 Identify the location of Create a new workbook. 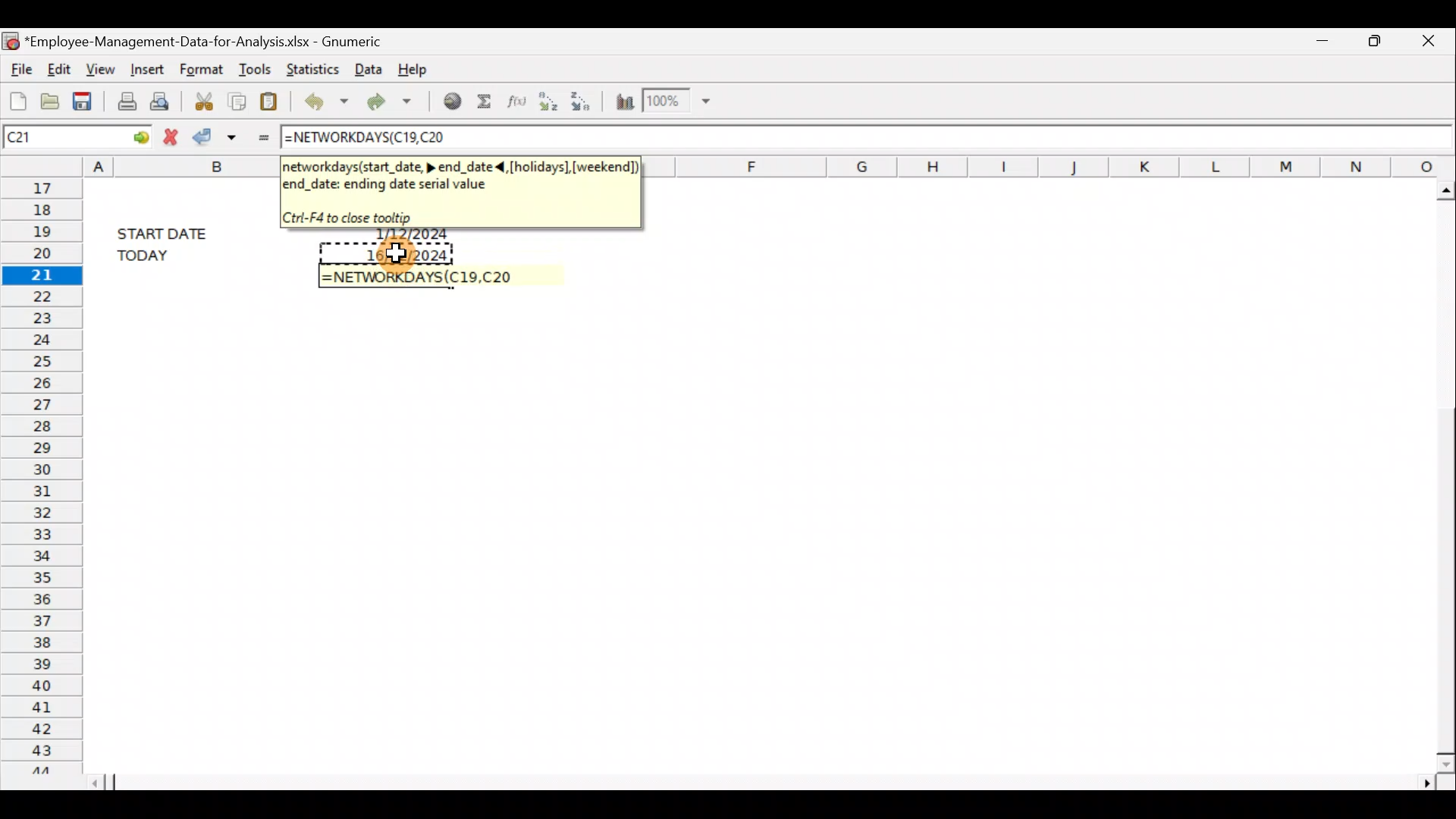
(15, 97).